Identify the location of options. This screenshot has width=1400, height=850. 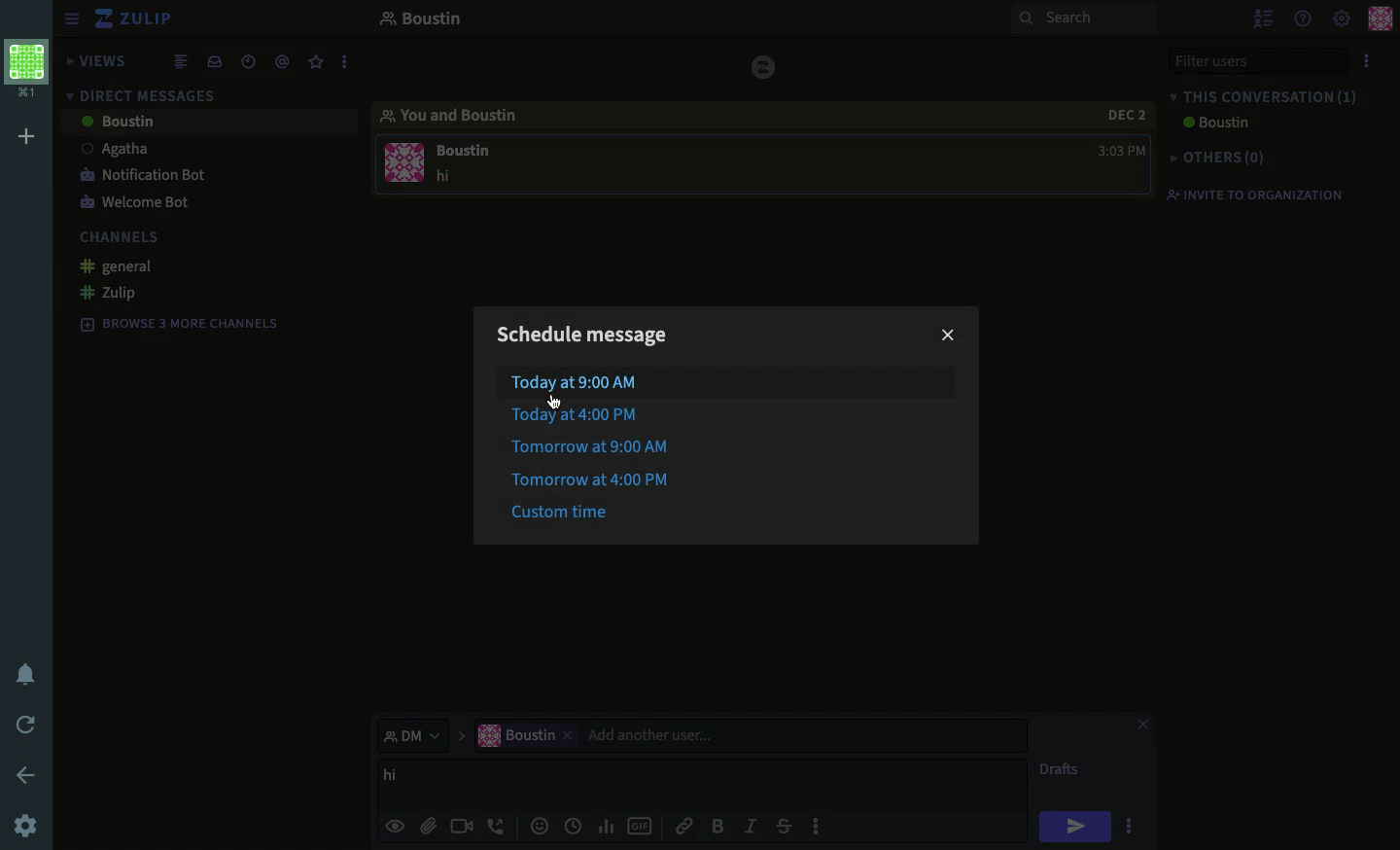
(345, 62).